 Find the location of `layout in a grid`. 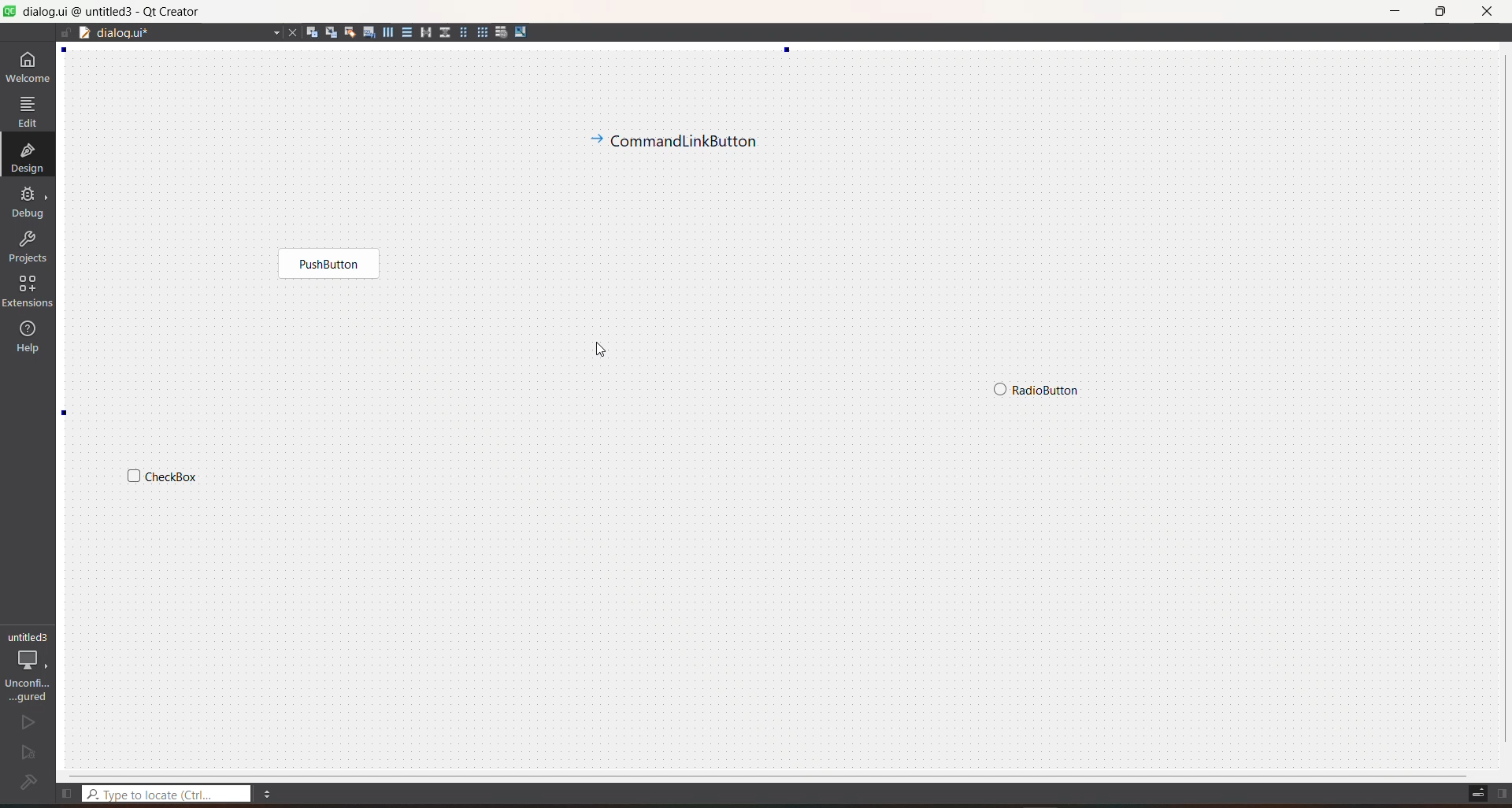

layout in a grid is located at coordinates (483, 32).